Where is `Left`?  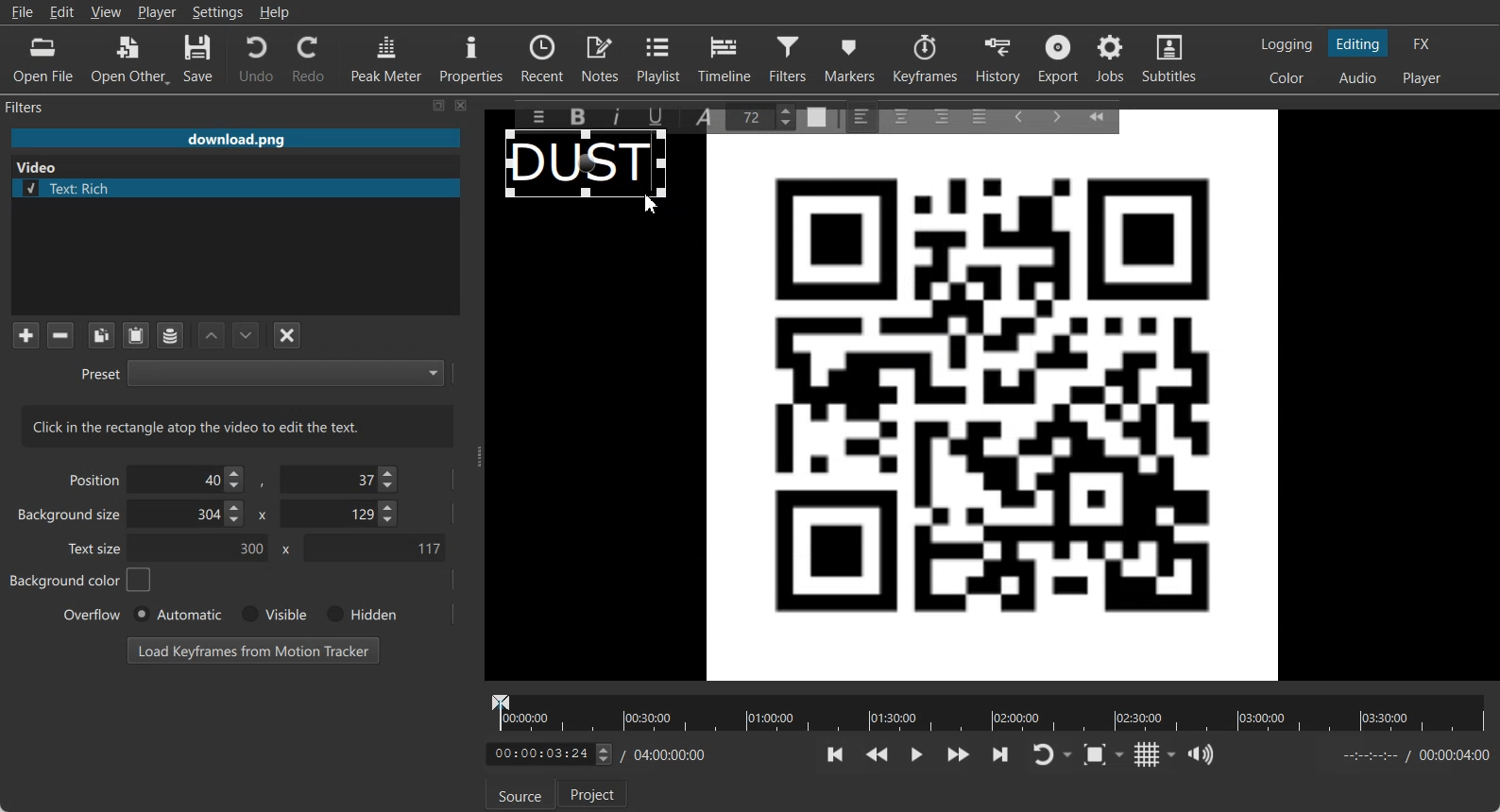 Left is located at coordinates (862, 115).